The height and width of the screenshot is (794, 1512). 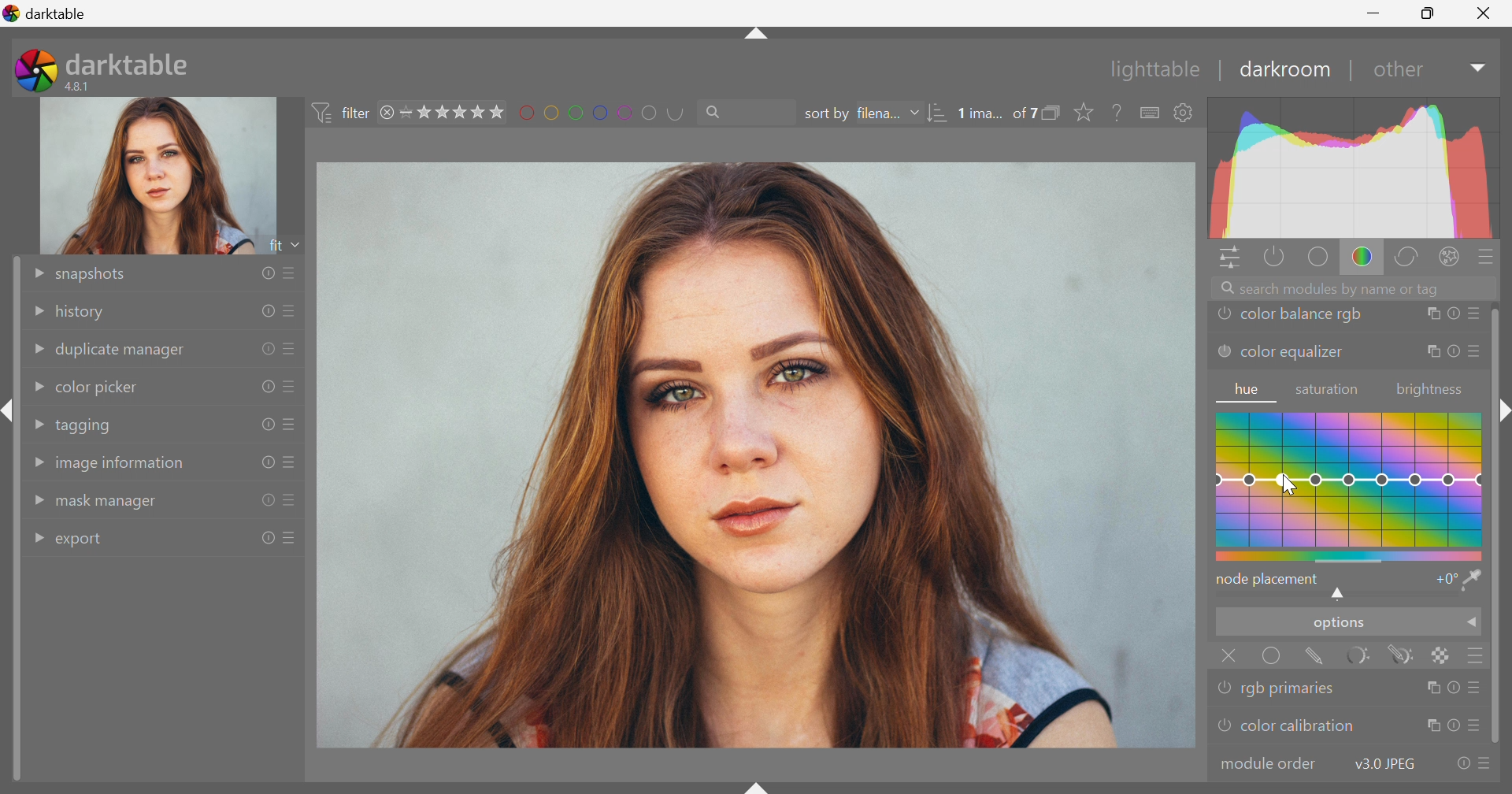 I want to click on drawn & parametric mask, so click(x=1406, y=656).